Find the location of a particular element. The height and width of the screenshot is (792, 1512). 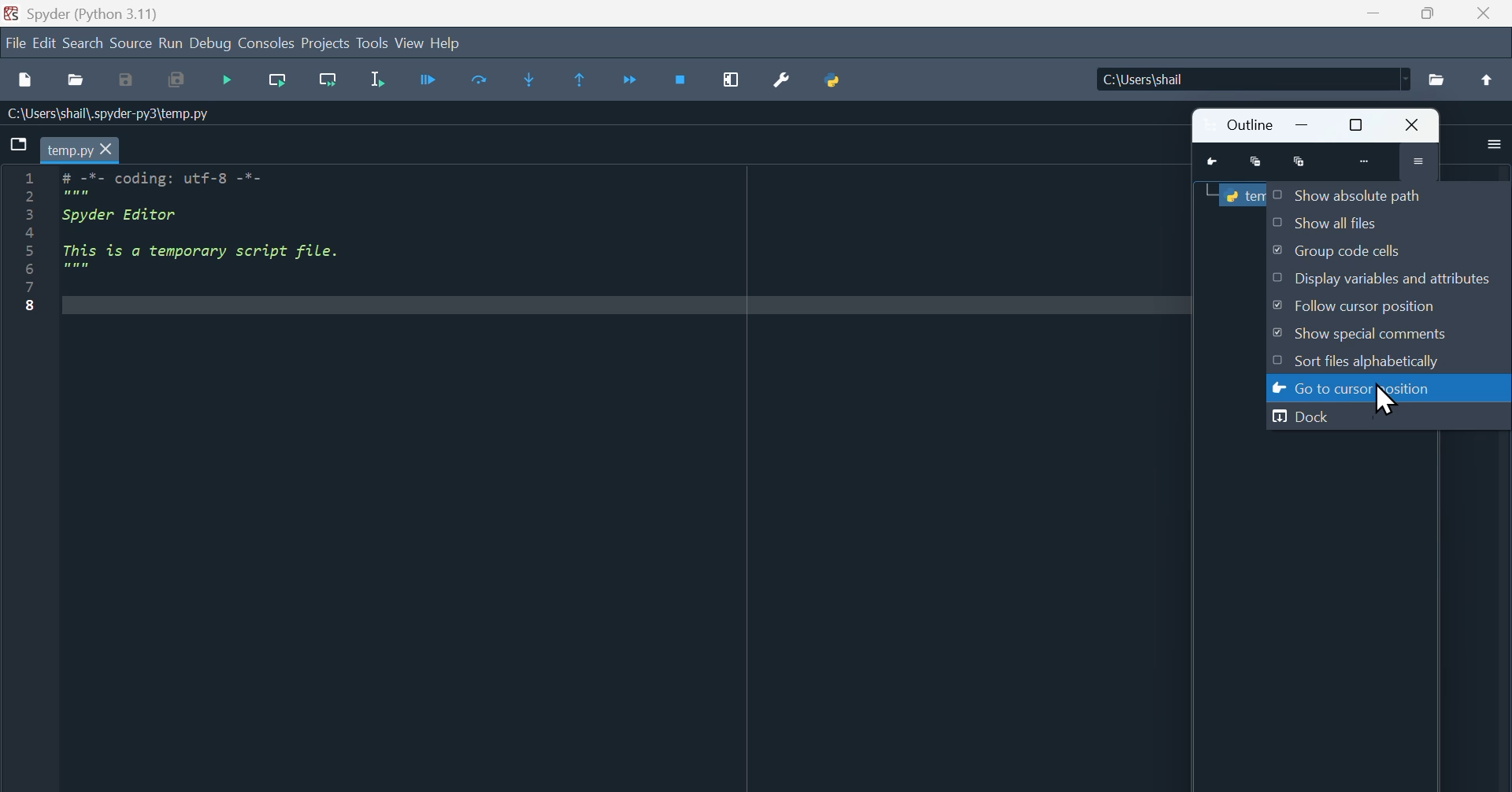

Maximize is located at coordinates (1299, 162).